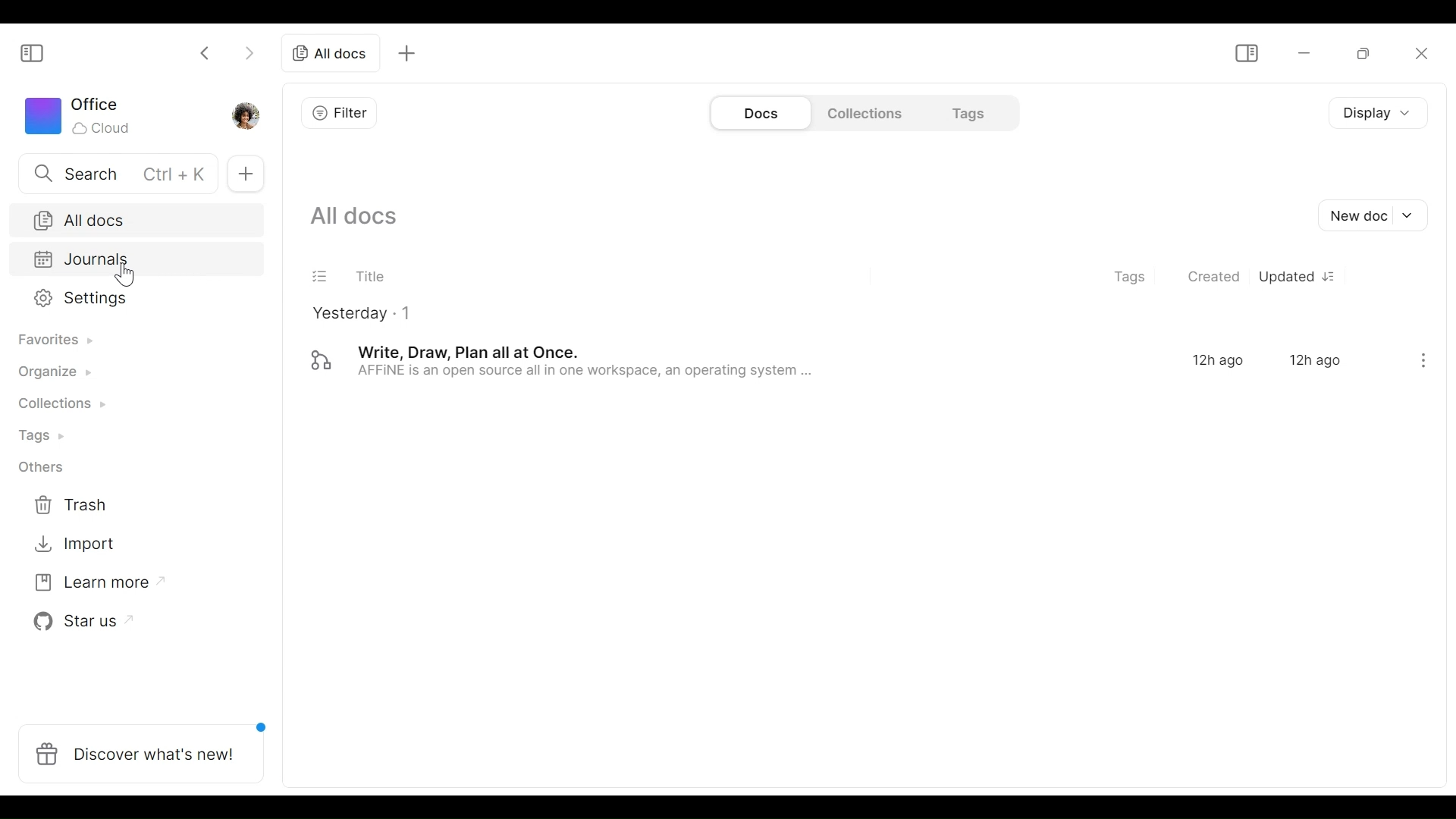 Image resolution: width=1456 pixels, height=819 pixels. What do you see at coordinates (133, 257) in the screenshot?
I see `Journal` at bounding box center [133, 257].